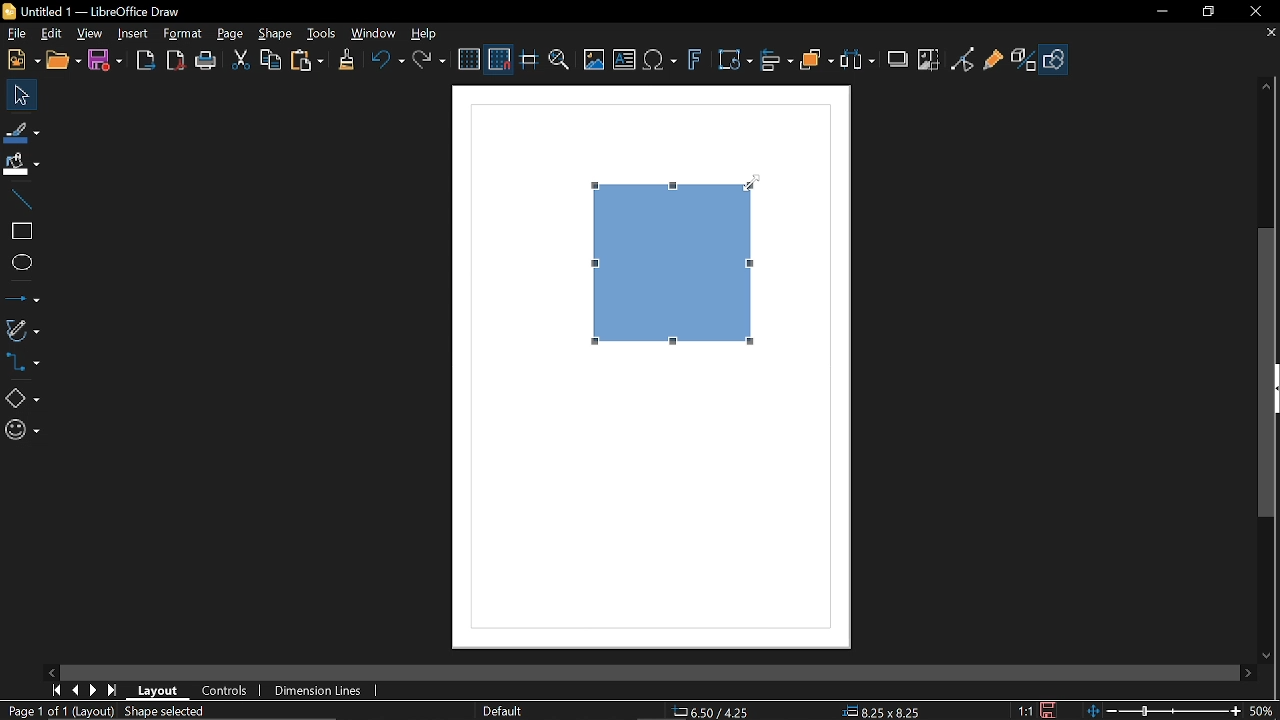  What do you see at coordinates (230, 34) in the screenshot?
I see `Page` at bounding box center [230, 34].